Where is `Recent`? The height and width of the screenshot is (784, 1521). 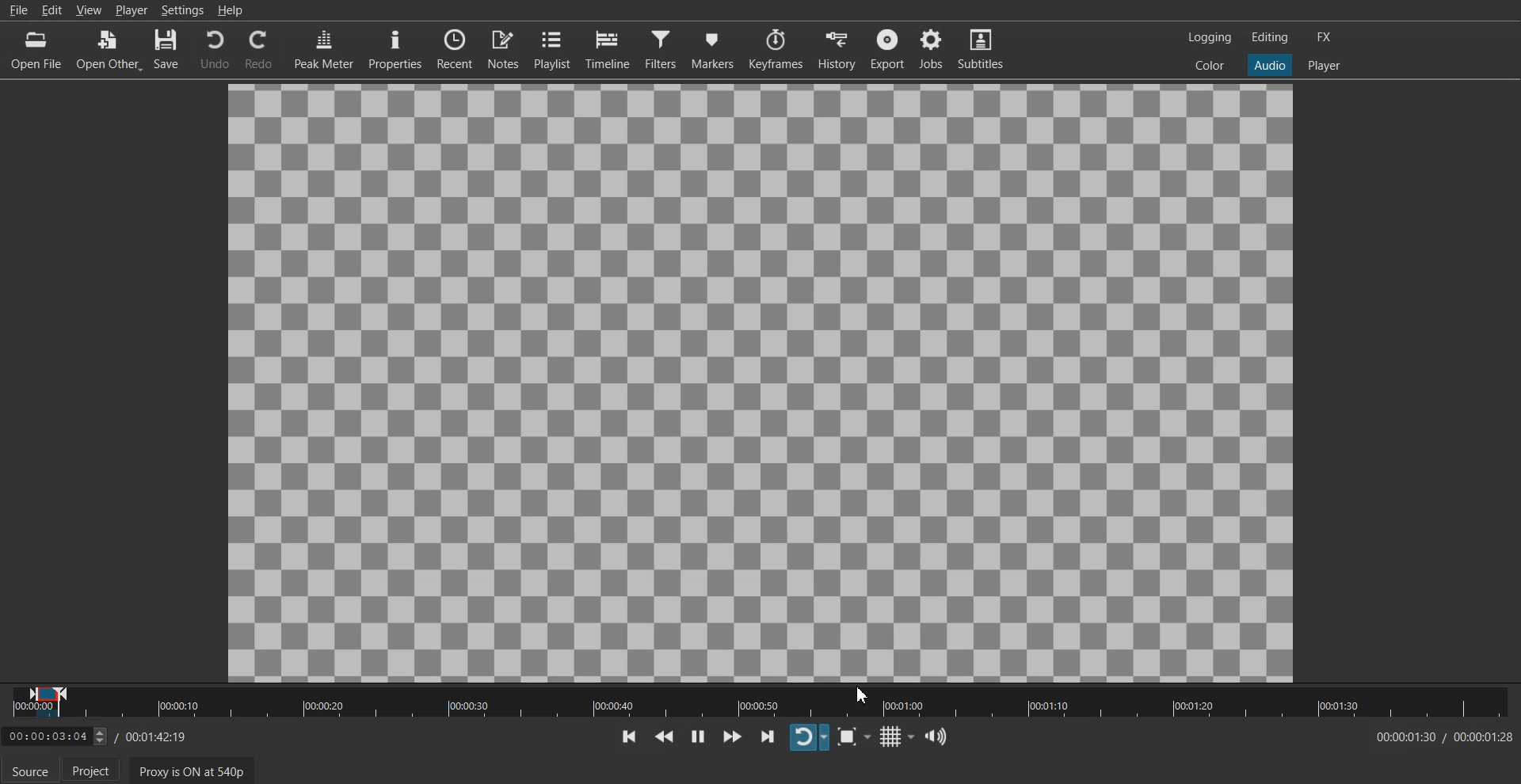
Recent is located at coordinates (455, 48).